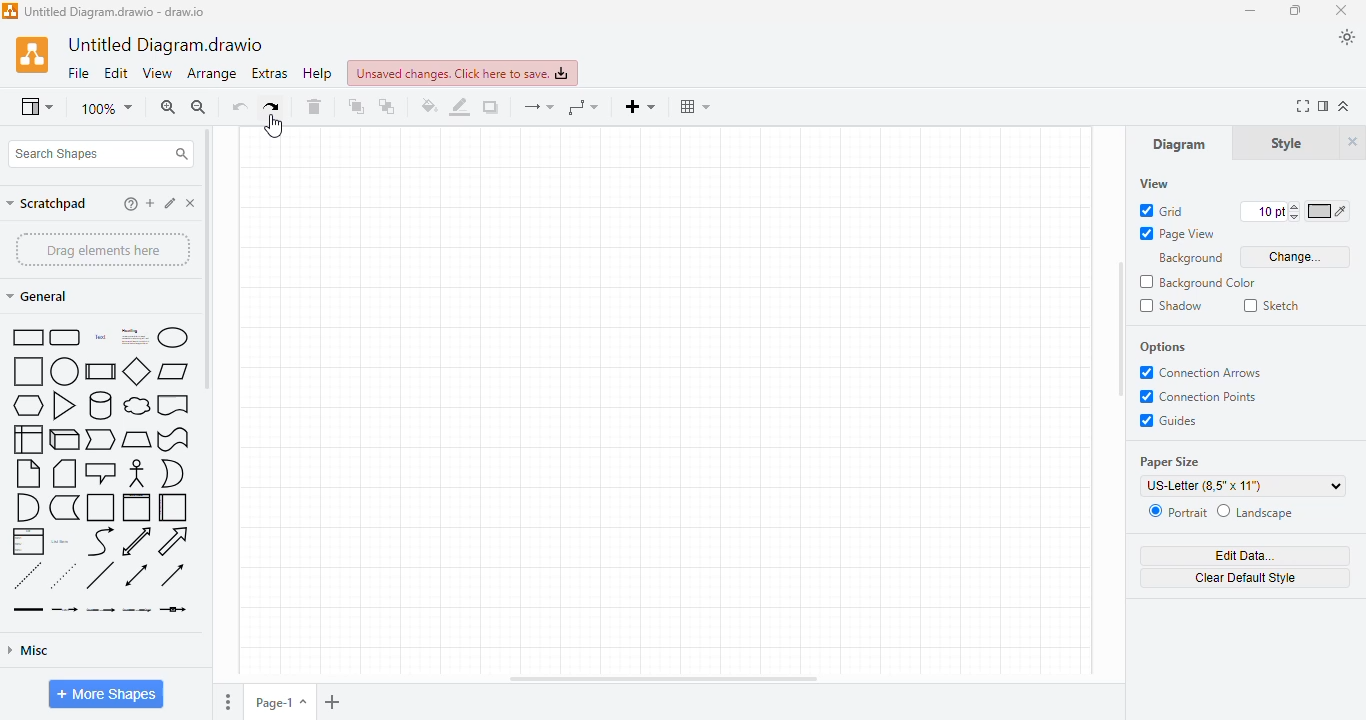  I want to click on to front, so click(356, 107).